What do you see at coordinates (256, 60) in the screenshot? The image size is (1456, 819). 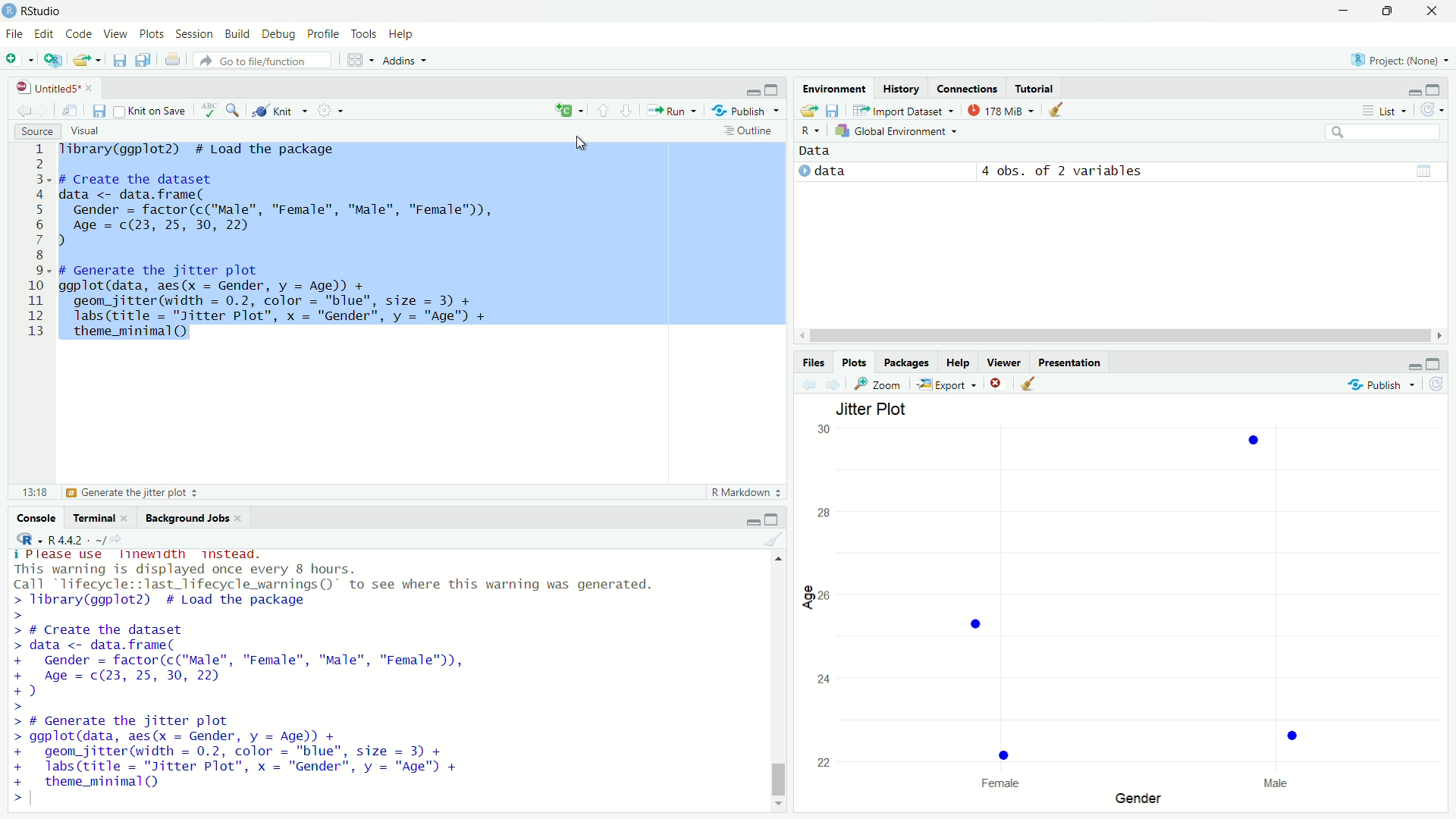 I see `go to file/function` at bounding box center [256, 60].